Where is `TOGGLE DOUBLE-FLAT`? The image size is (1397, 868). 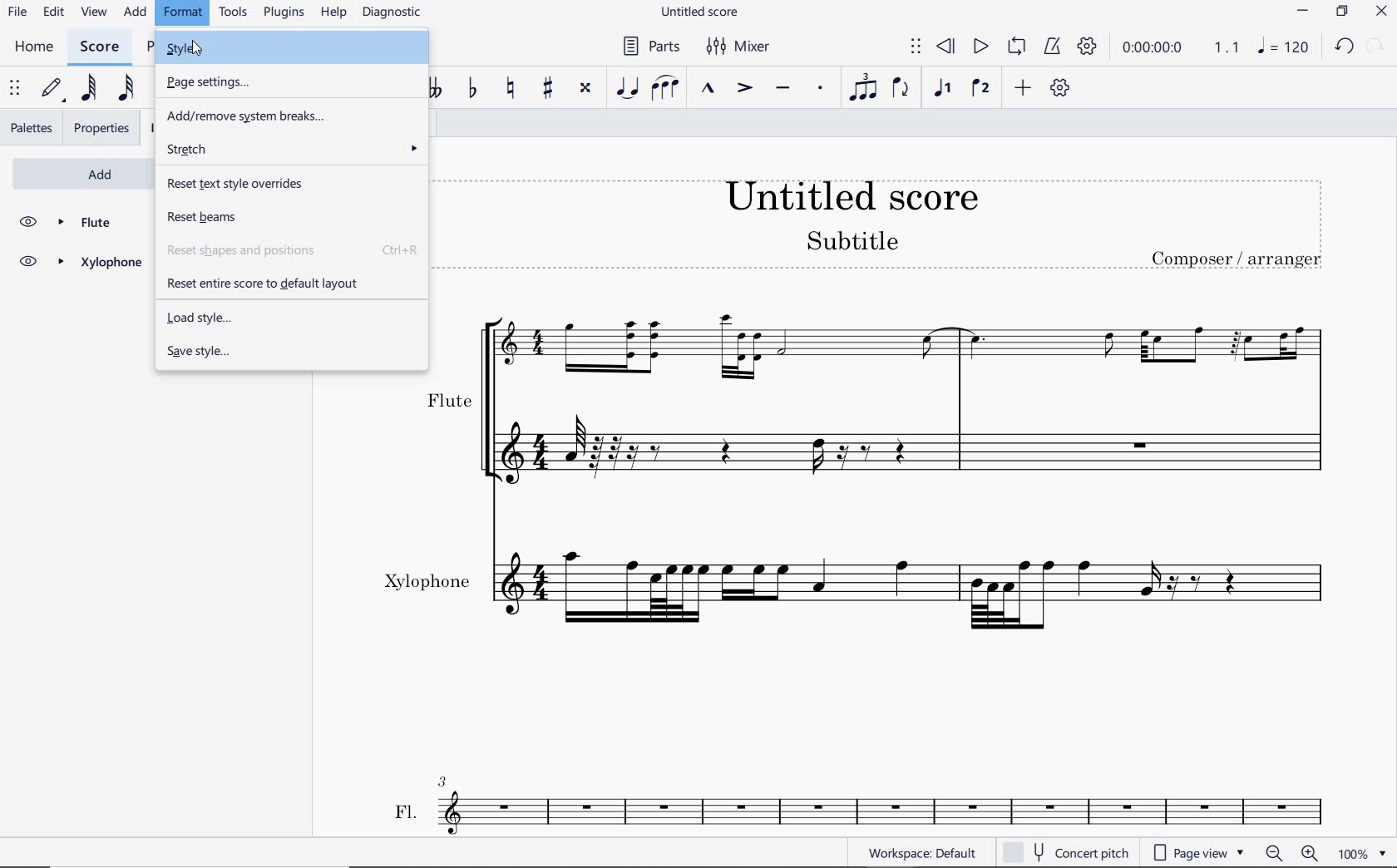 TOGGLE DOUBLE-FLAT is located at coordinates (437, 87).